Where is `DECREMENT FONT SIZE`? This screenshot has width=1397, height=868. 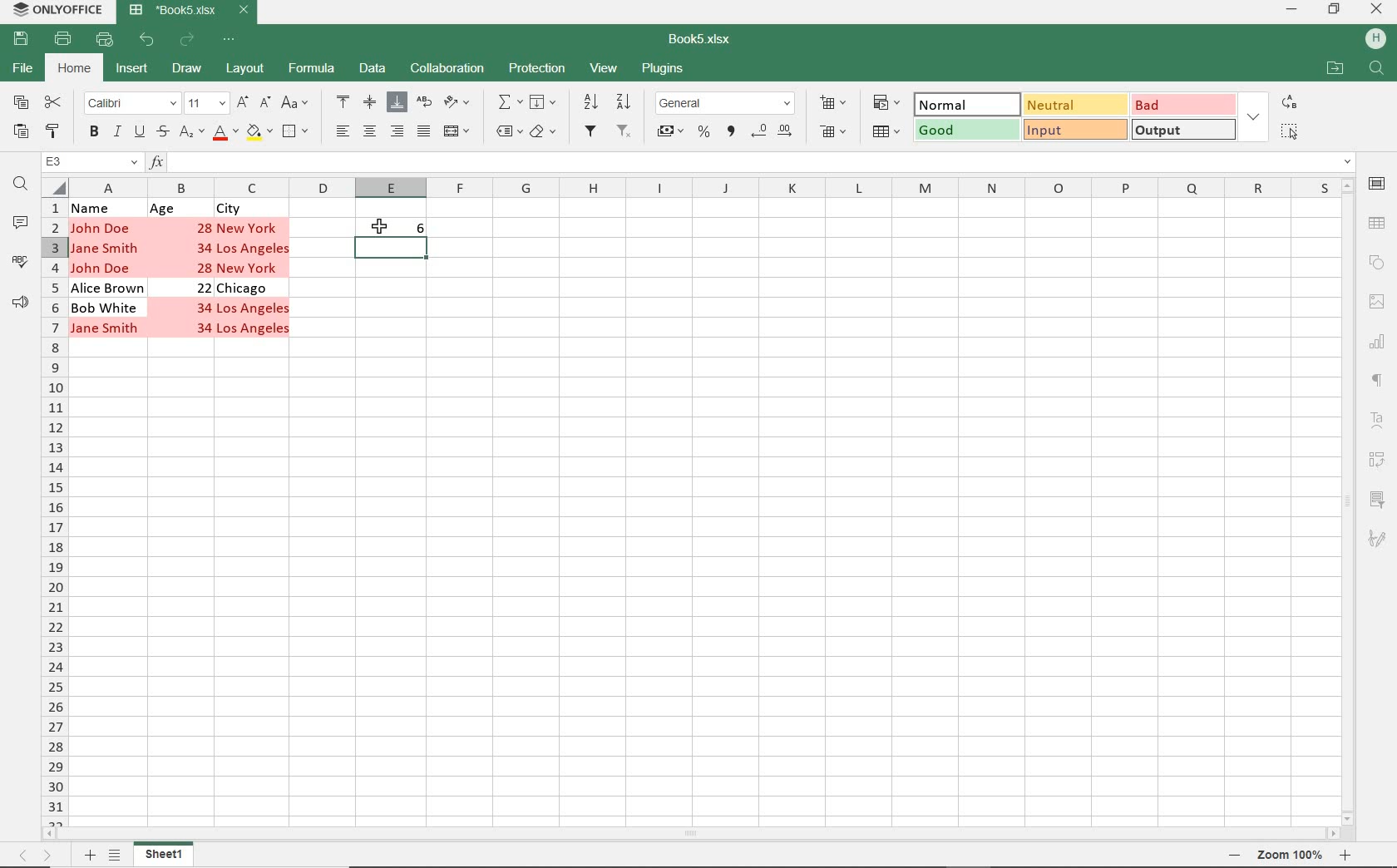
DECREMENT FONT SIZE is located at coordinates (265, 103).